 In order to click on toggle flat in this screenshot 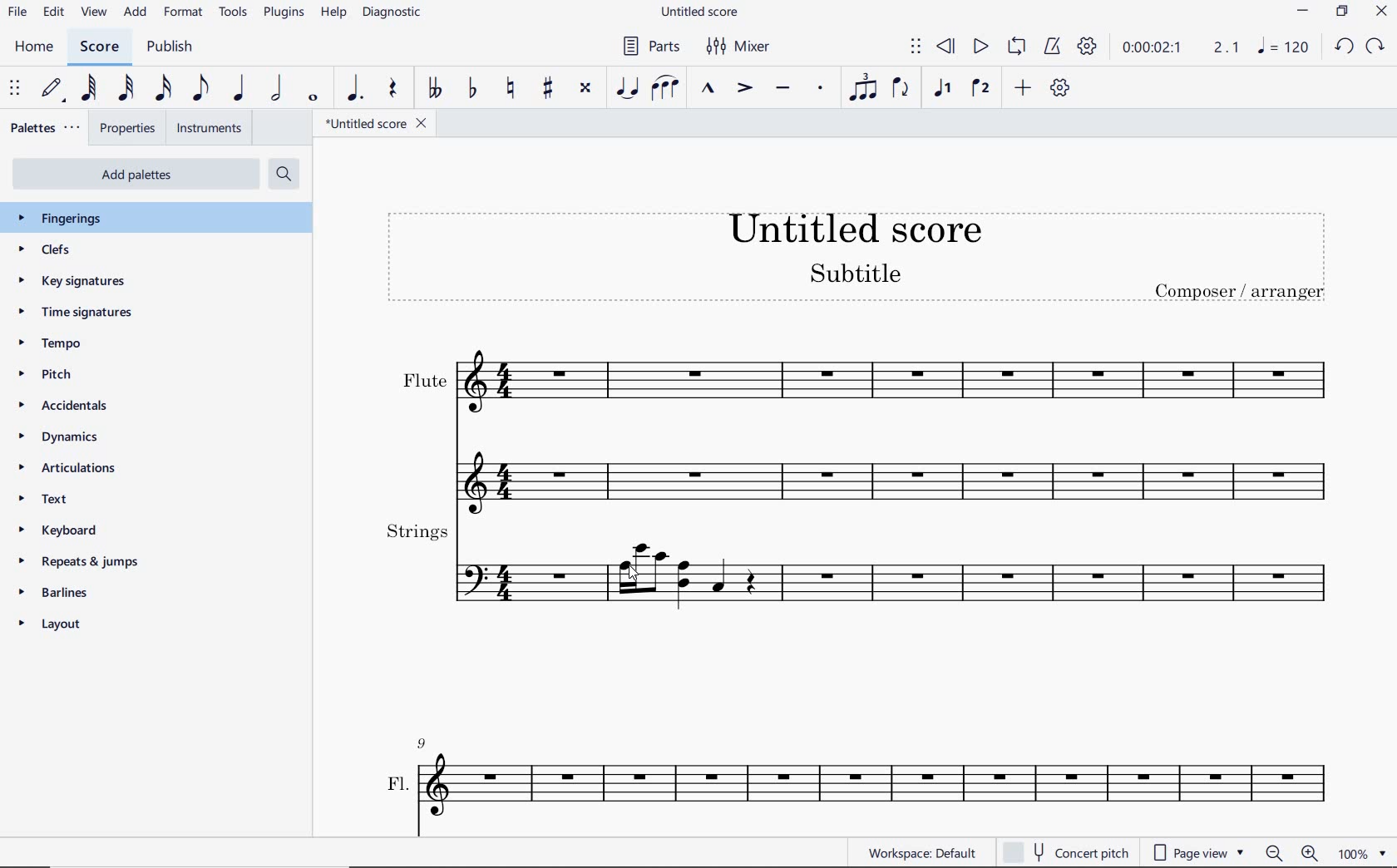, I will do `click(472, 89)`.